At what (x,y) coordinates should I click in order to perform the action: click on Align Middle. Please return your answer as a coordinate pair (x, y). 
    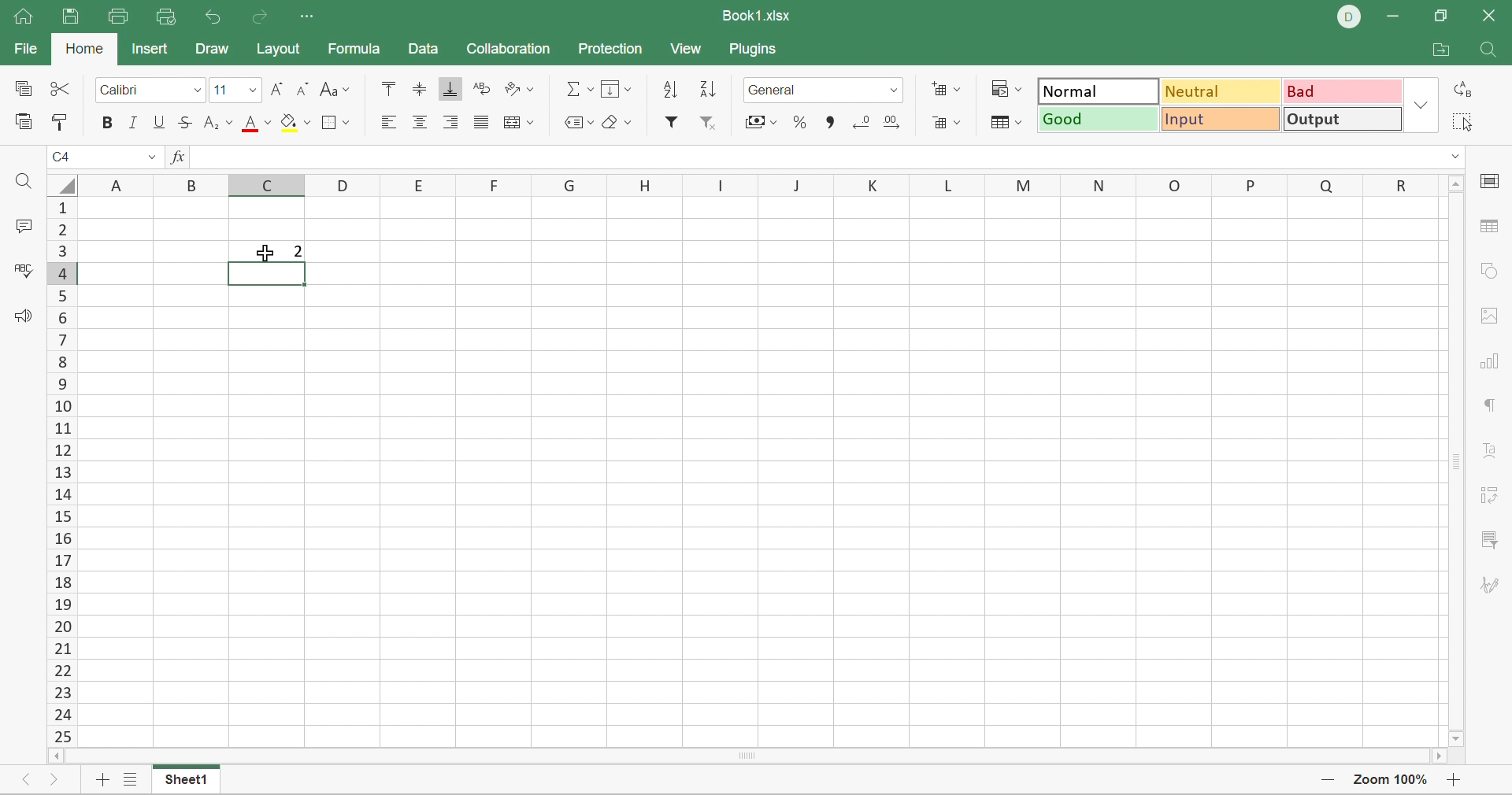
    Looking at the image, I should click on (421, 91).